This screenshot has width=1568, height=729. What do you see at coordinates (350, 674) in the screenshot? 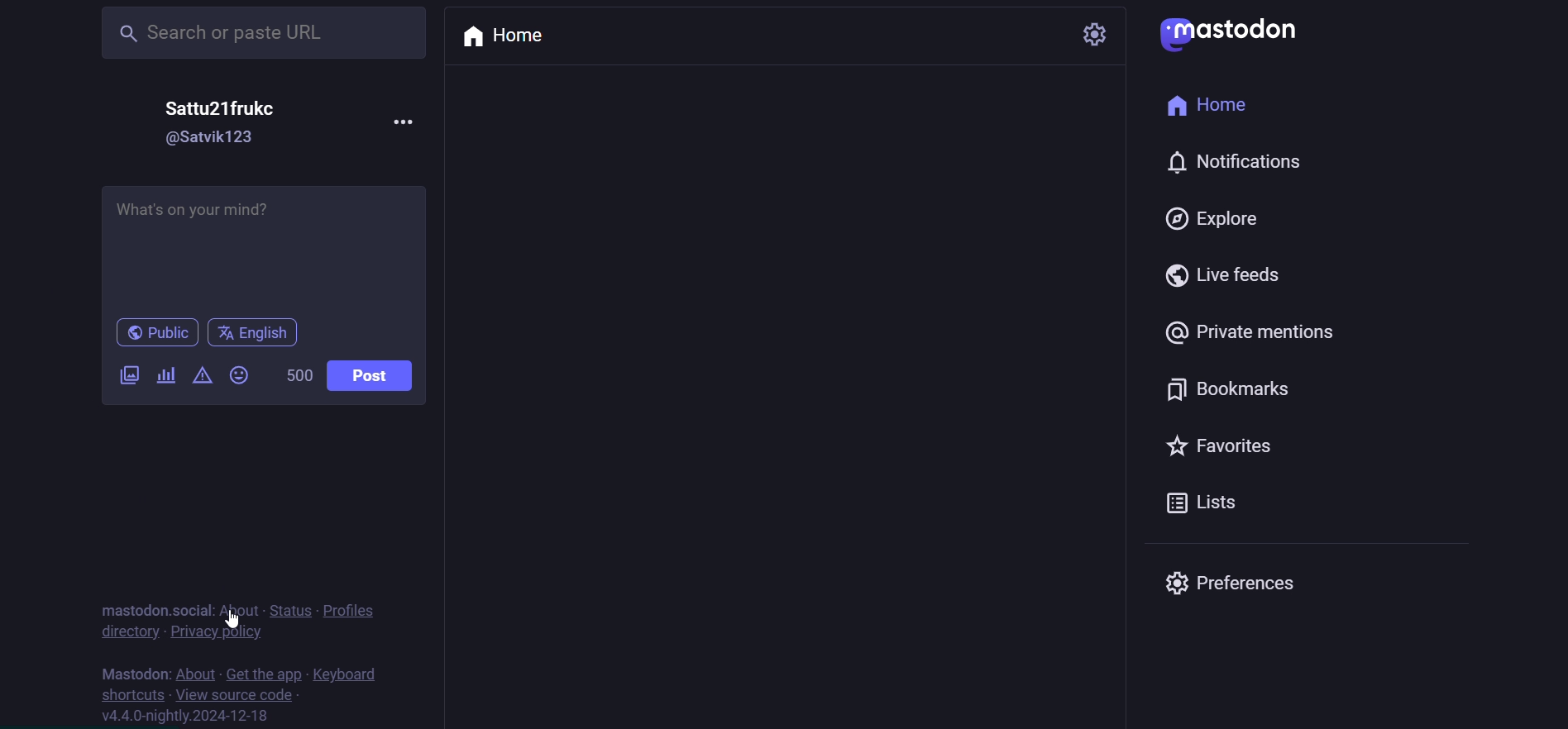
I see `keyboard` at bounding box center [350, 674].